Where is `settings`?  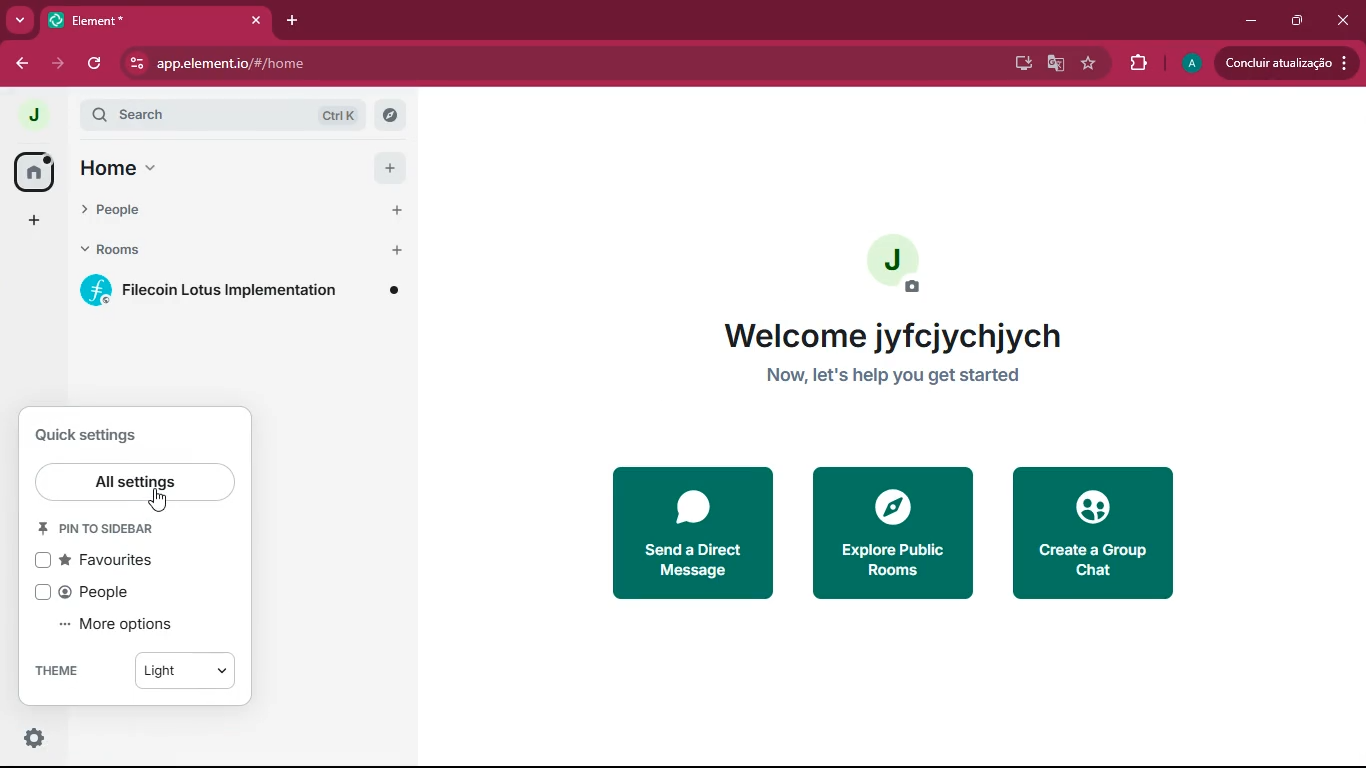 settings is located at coordinates (29, 738).